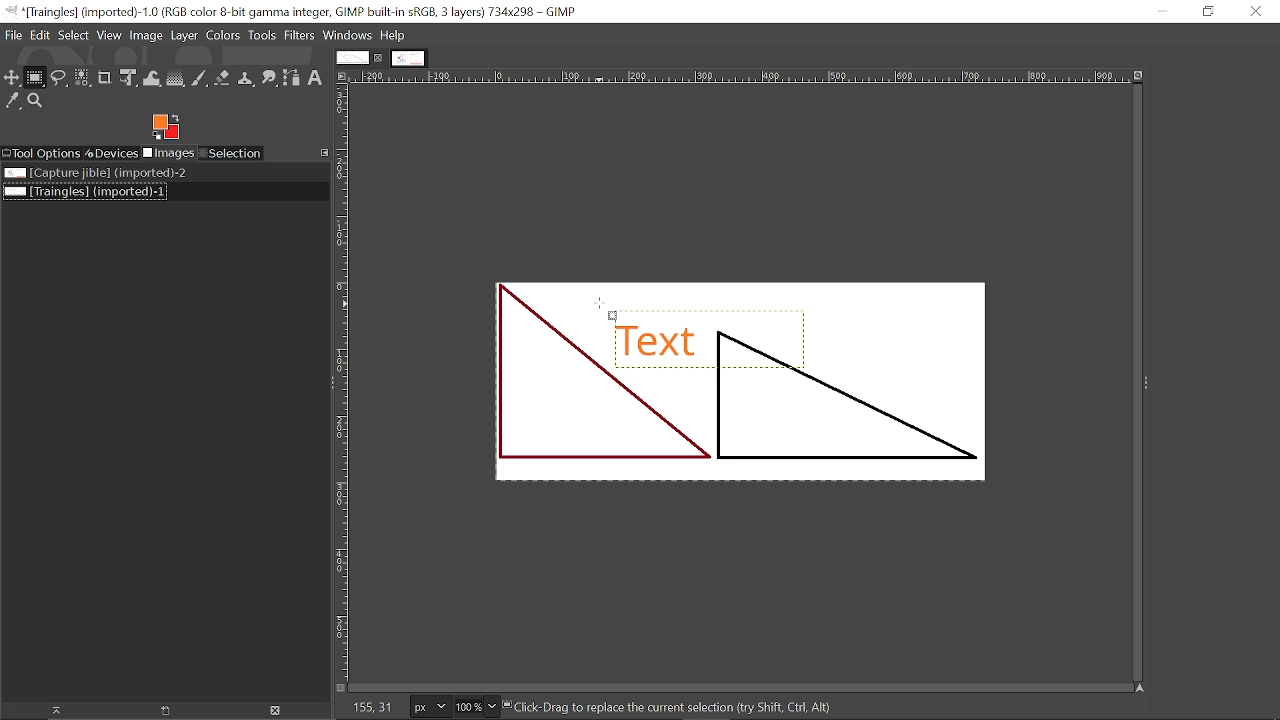 The height and width of the screenshot is (720, 1280). What do you see at coordinates (93, 174) in the screenshot?
I see `Image file titled "Capture jible"` at bounding box center [93, 174].